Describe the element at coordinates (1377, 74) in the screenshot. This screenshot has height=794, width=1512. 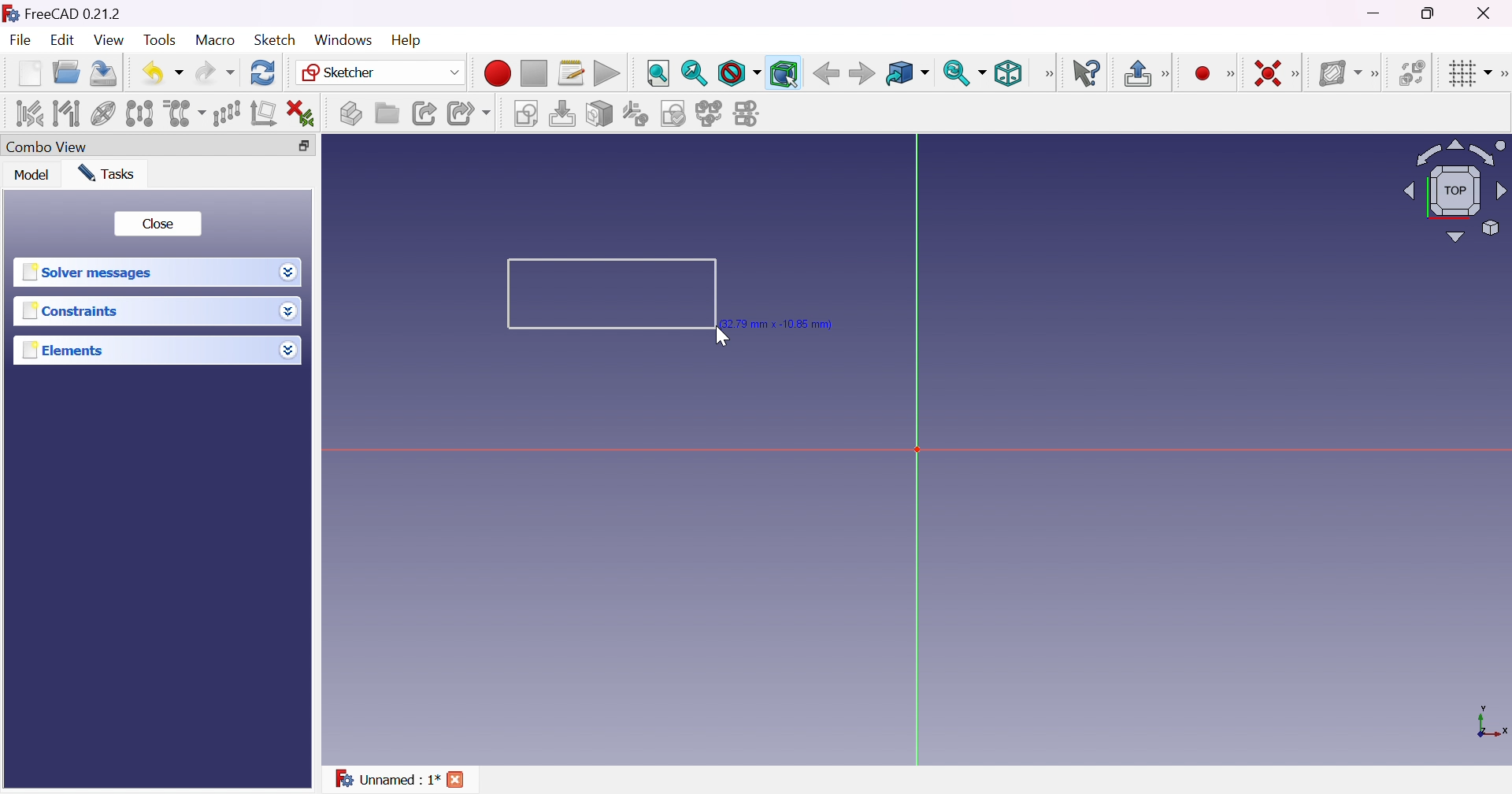
I see `[Sketcher B-spline tools]` at that location.